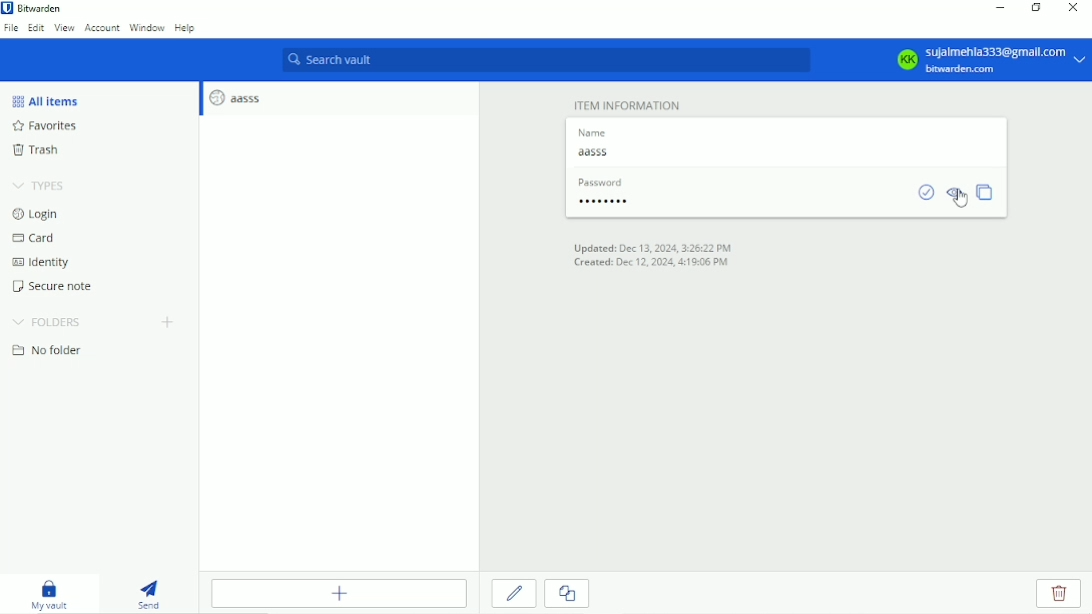  What do you see at coordinates (956, 197) in the screenshot?
I see `Toggle visibility` at bounding box center [956, 197].